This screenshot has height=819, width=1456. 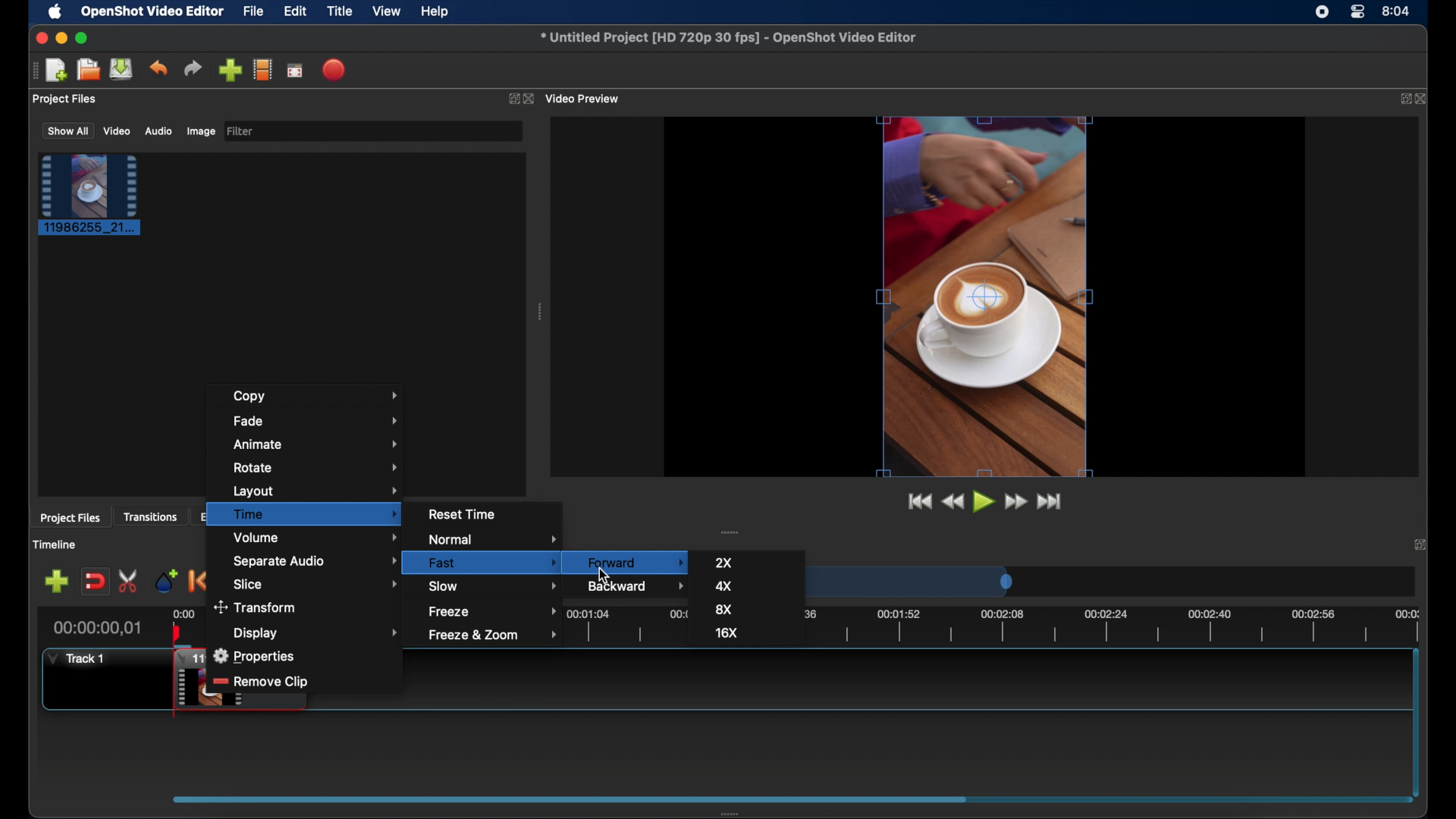 What do you see at coordinates (739, 811) in the screenshot?
I see `drag handle` at bounding box center [739, 811].